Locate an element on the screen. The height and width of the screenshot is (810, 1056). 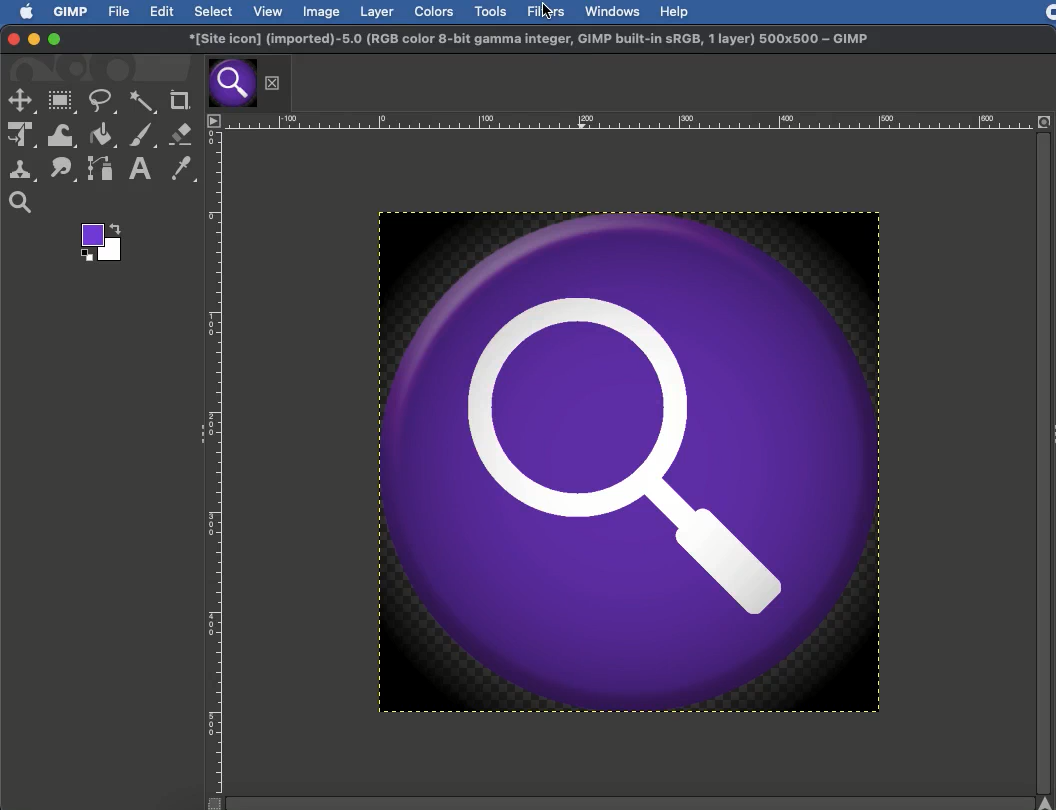
Fuzzy selection is located at coordinates (143, 102).